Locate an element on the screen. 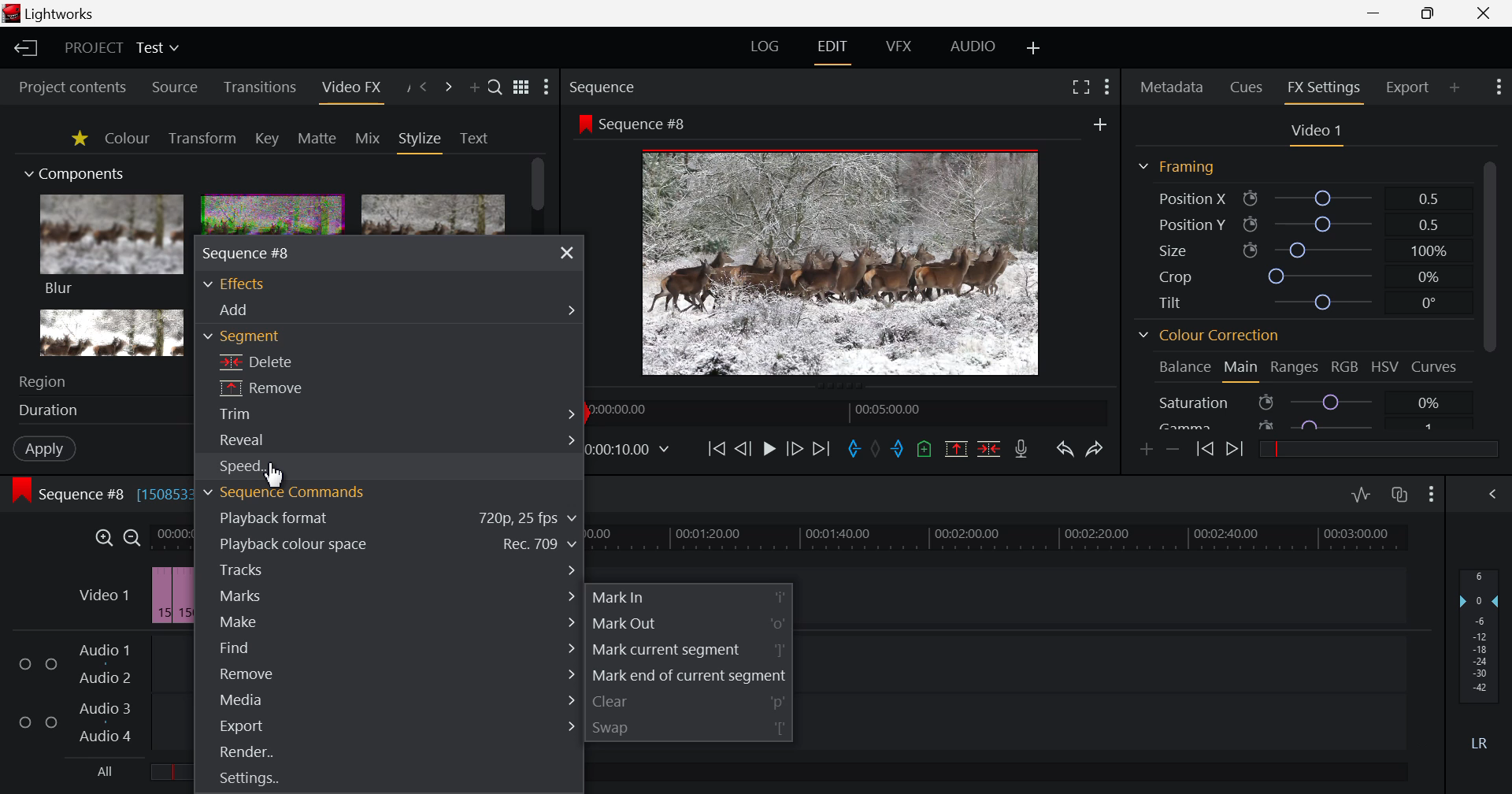 This screenshot has height=794, width=1512. cursor is located at coordinates (274, 476).